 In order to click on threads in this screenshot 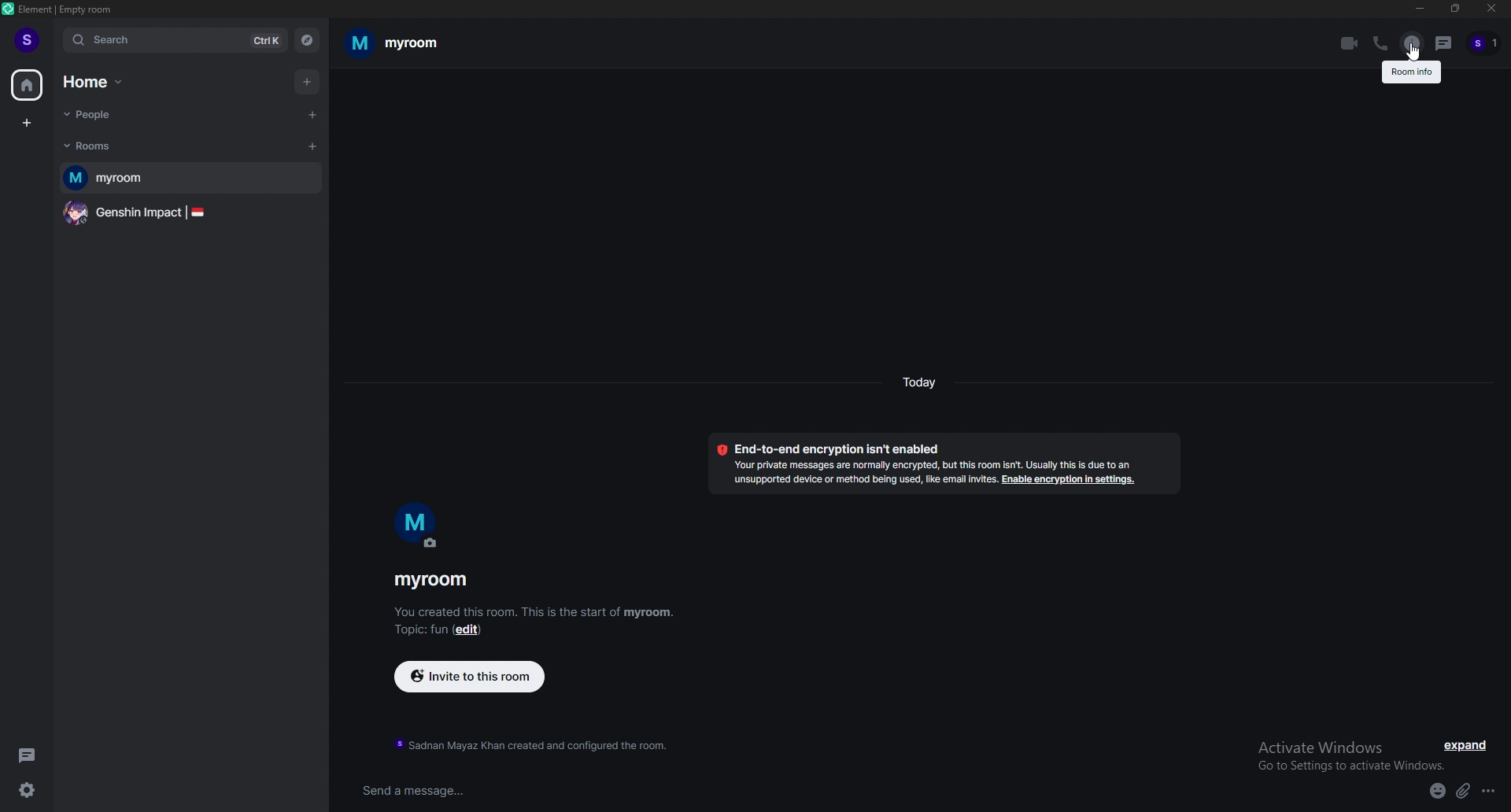, I will do `click(29, 753)`.